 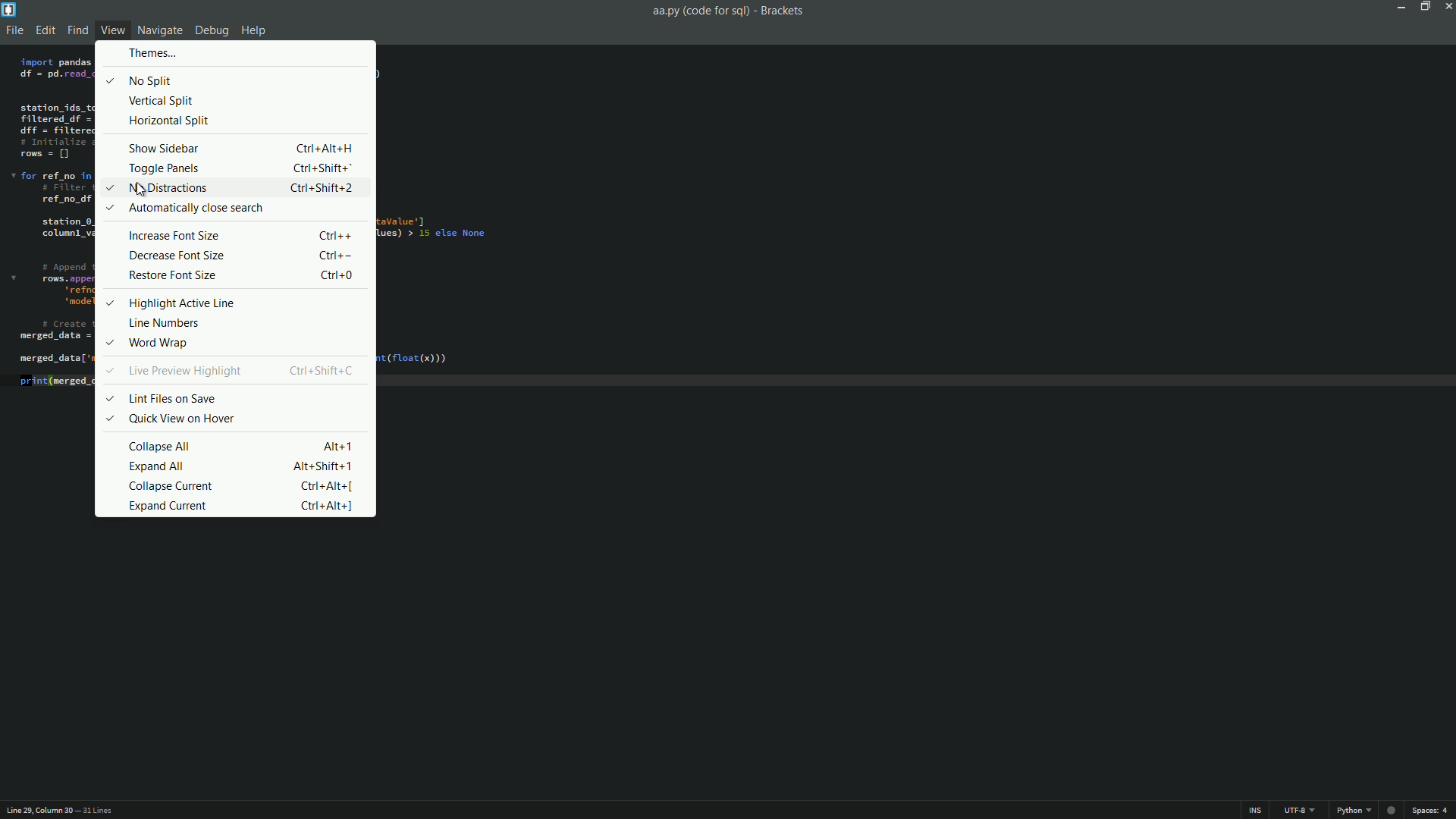 I want to click on expand current, so click(x=246, y=506).